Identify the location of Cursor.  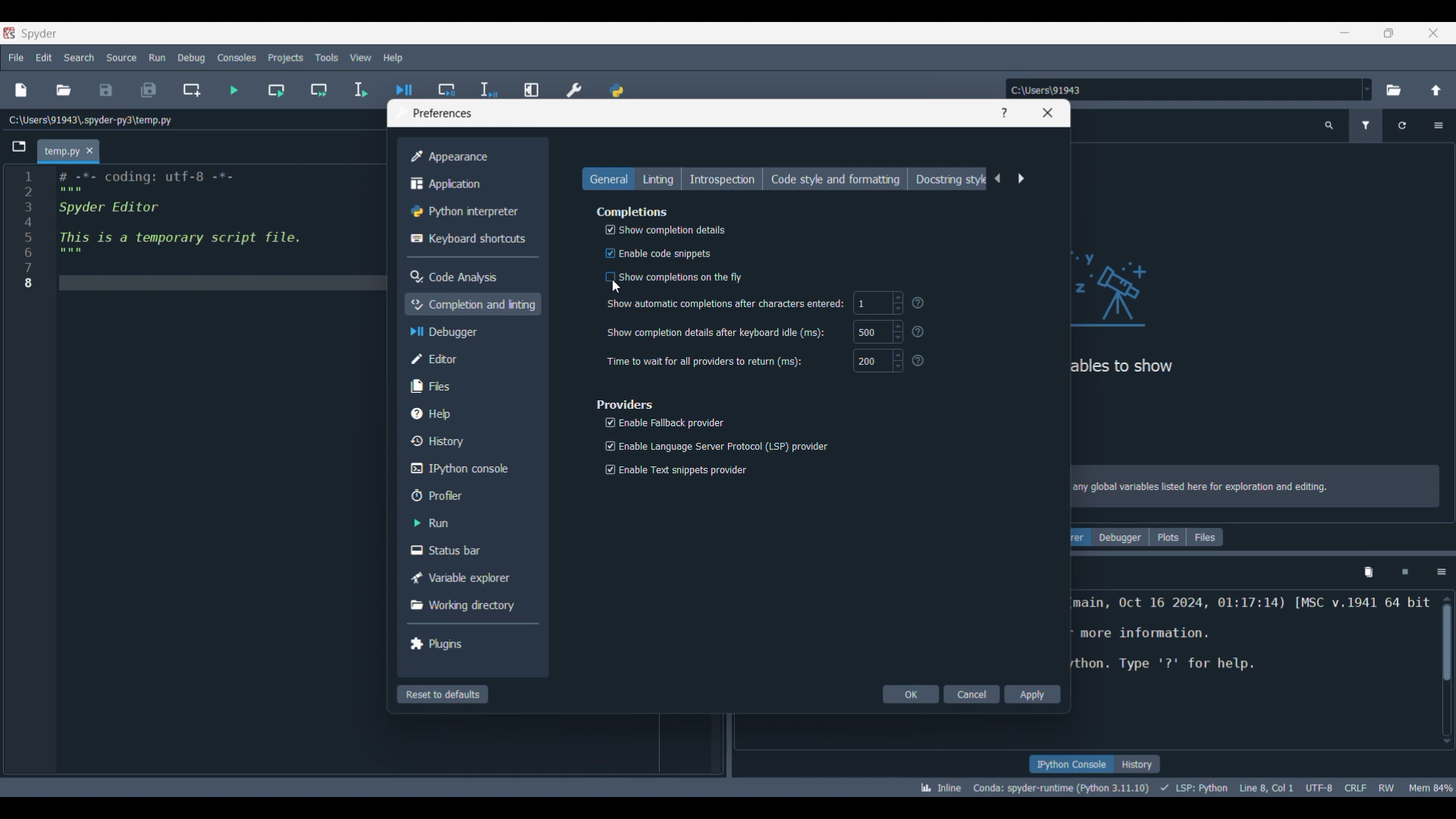
(613, 288).